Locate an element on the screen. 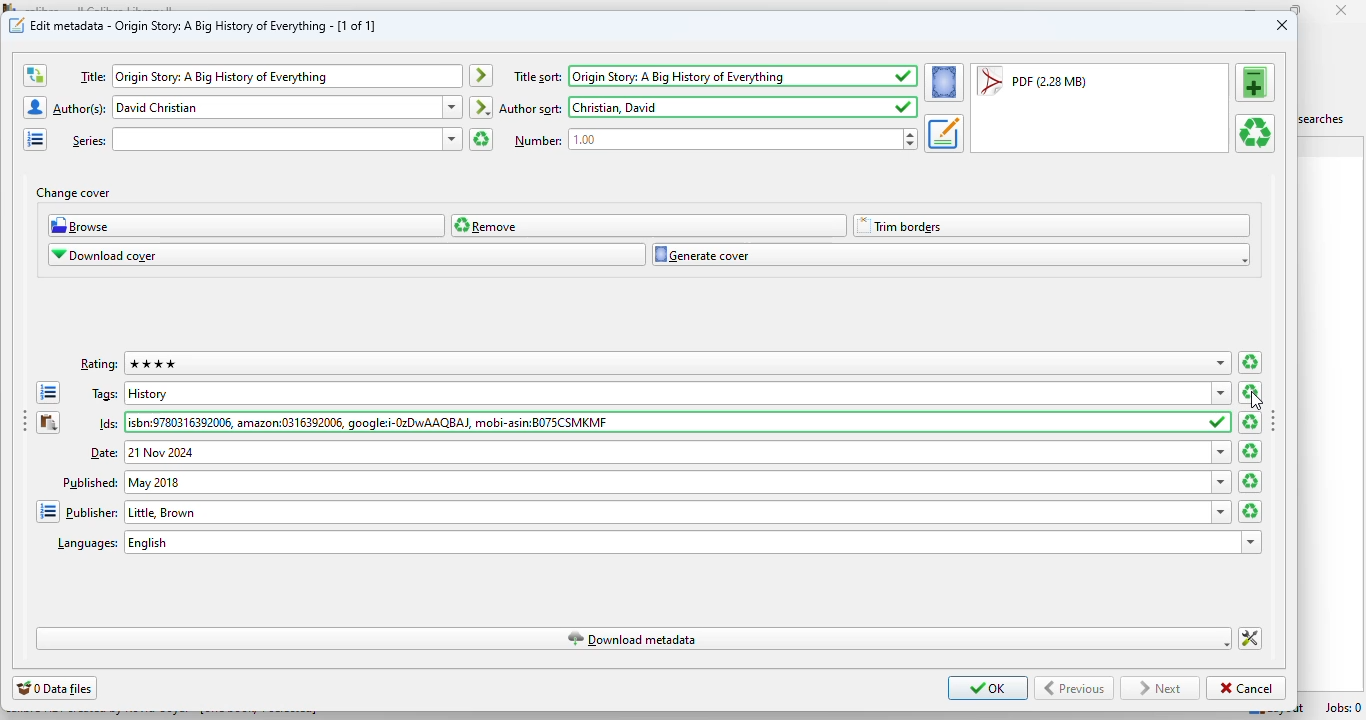 This screenshot has height=720, width=1366. open the manage authors editor is located at coordinates (36, 107).